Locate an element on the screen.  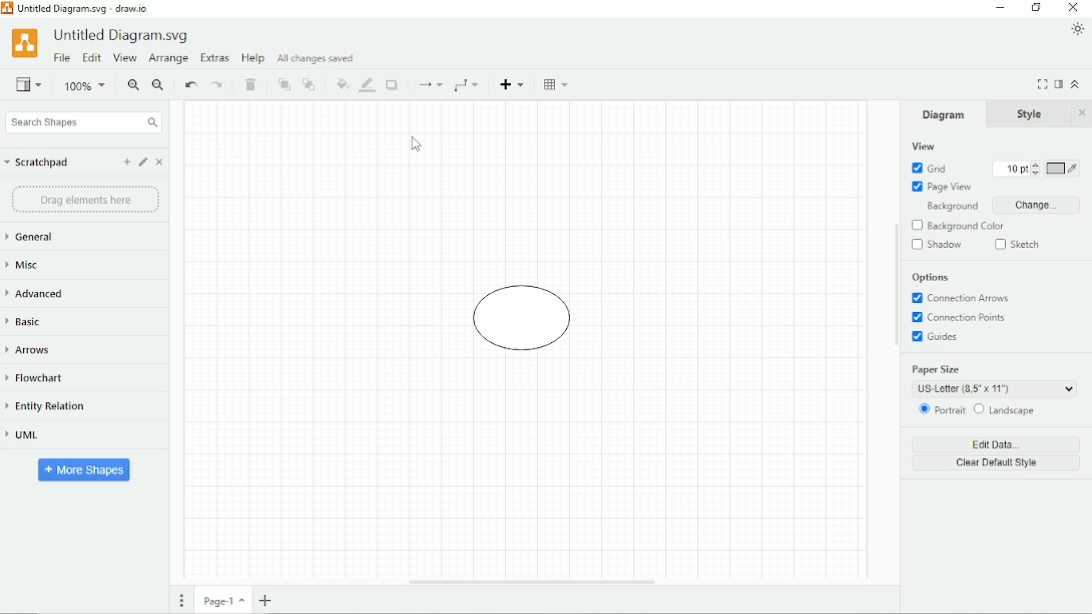
Untitled Diagram.svg is located at coordinates (119, 36).